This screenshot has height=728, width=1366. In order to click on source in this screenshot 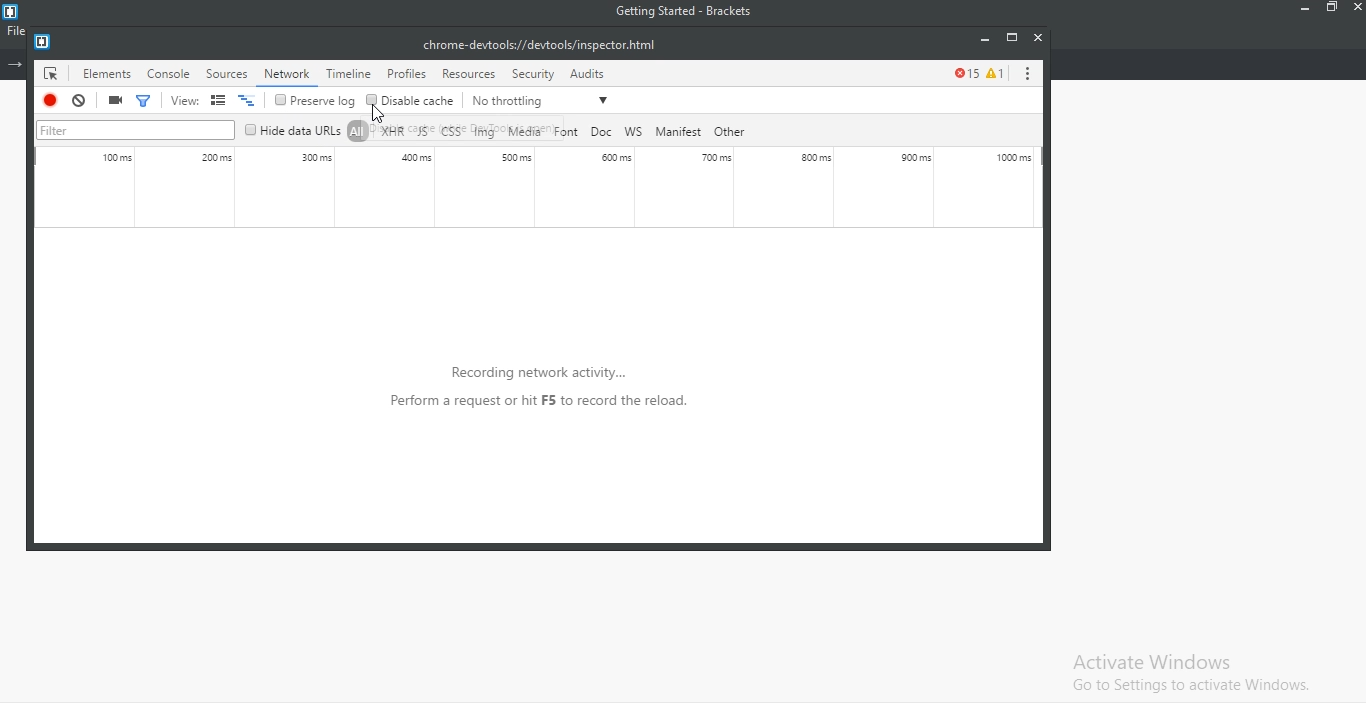, I will do `click(229, 73)`.